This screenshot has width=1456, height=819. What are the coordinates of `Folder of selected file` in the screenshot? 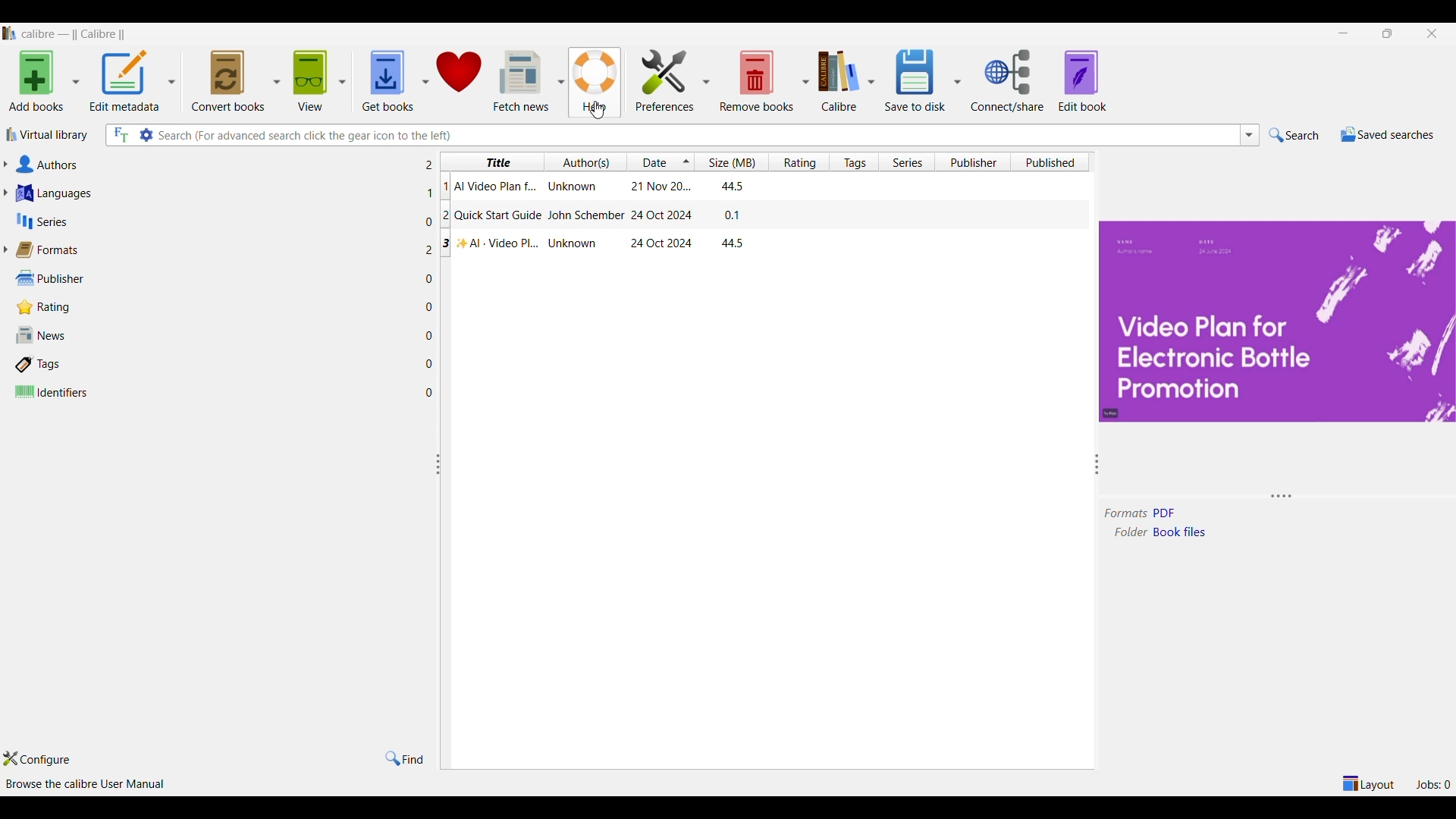 It's located at (1179, 532).